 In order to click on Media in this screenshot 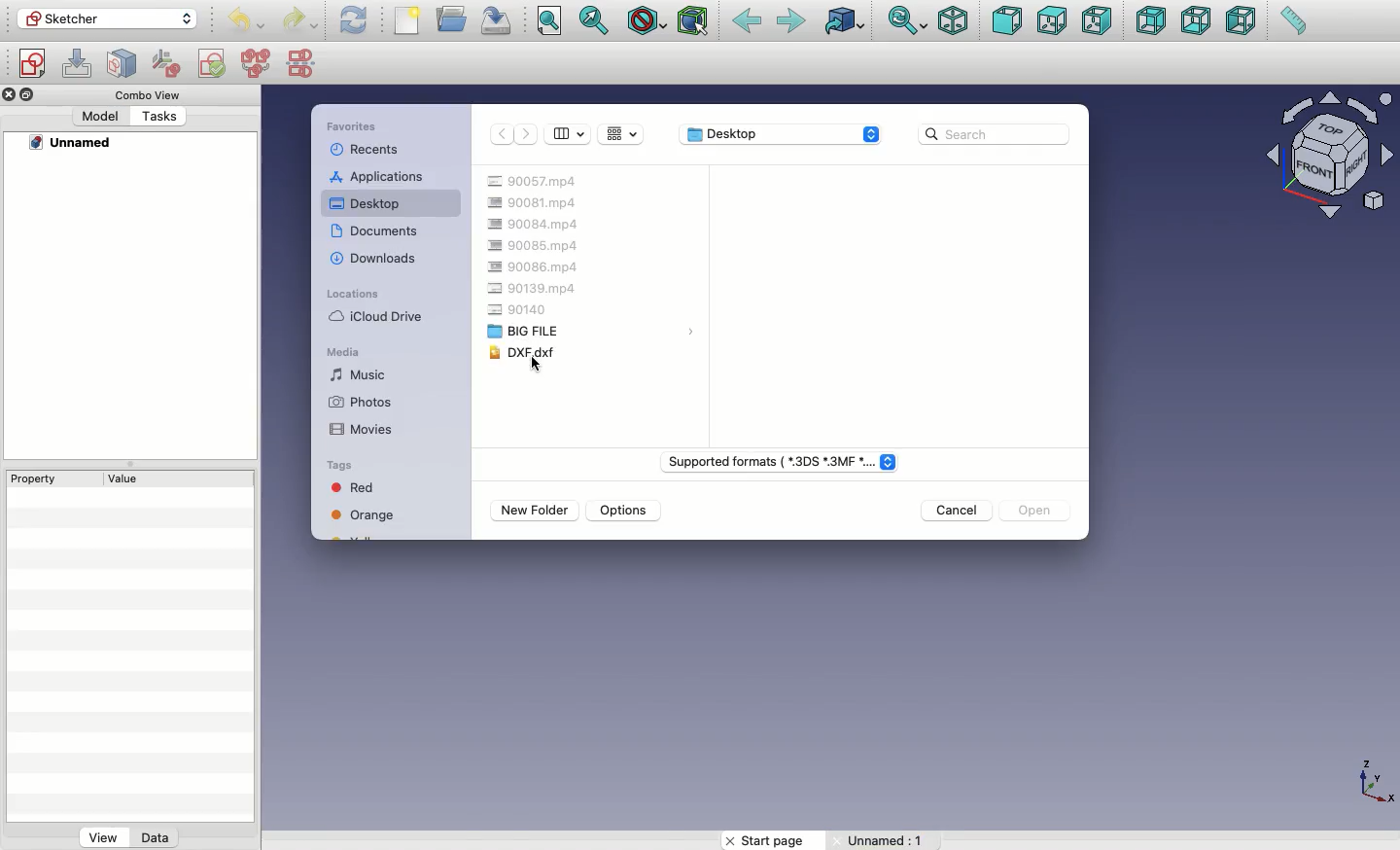, I will do `click(344, 350)`.